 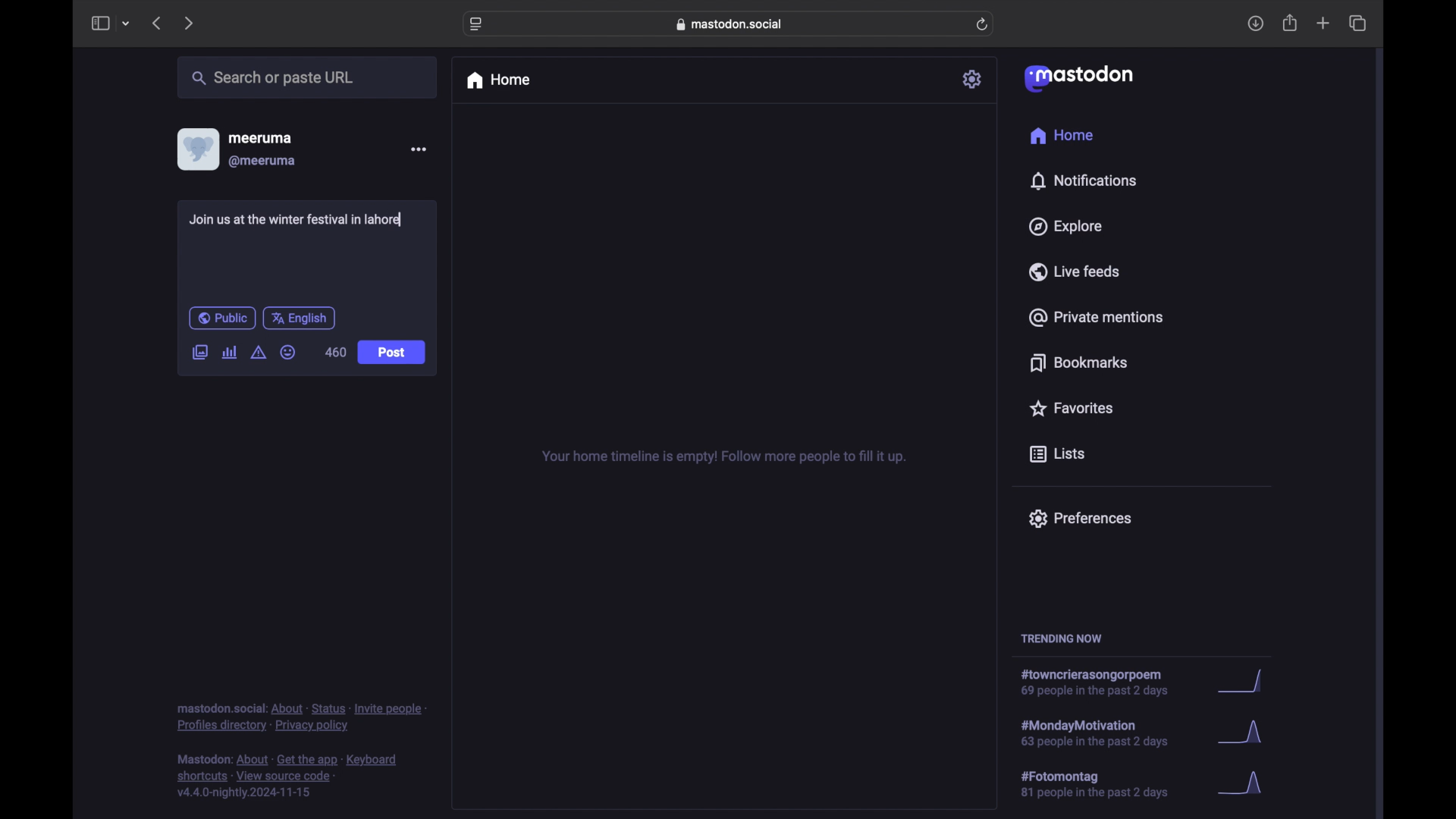 I want to click on add  poll, so click(x=229, y=352).